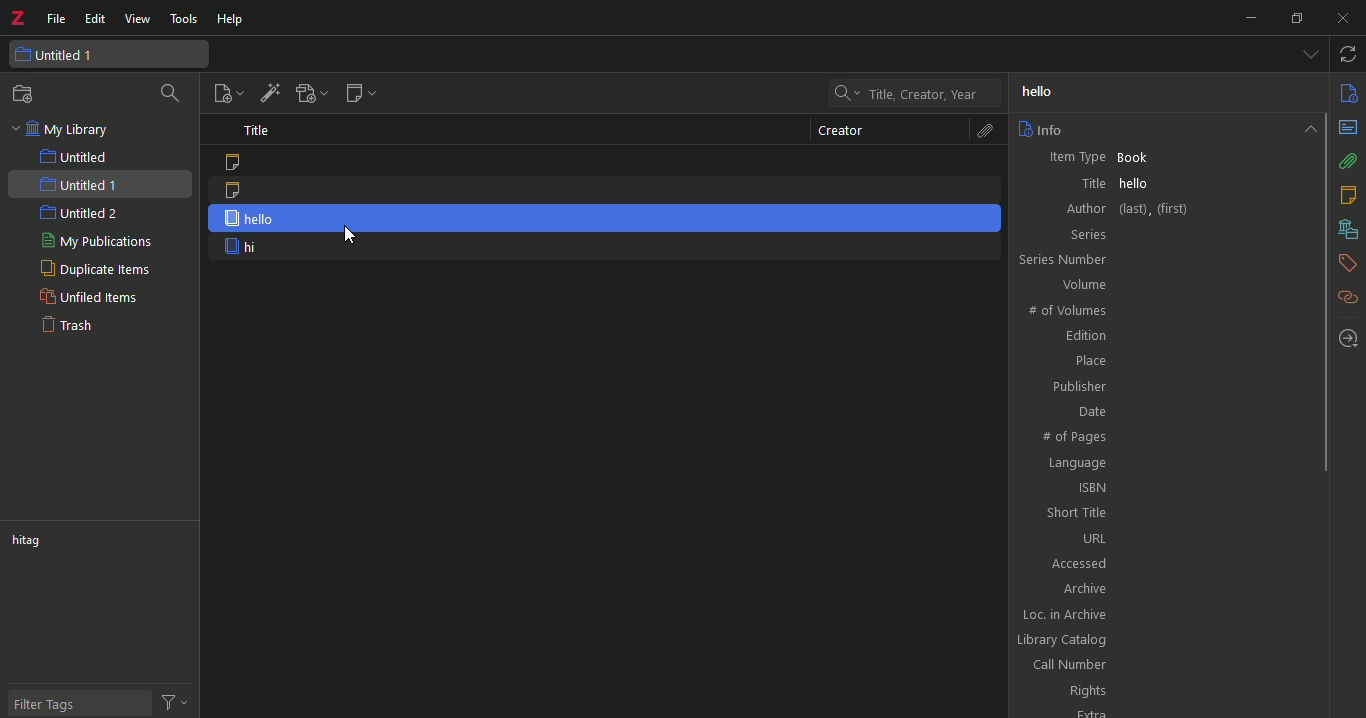 The height and width of the screenshot is (718, 1366). I want to click on creator, so click(842, 130).